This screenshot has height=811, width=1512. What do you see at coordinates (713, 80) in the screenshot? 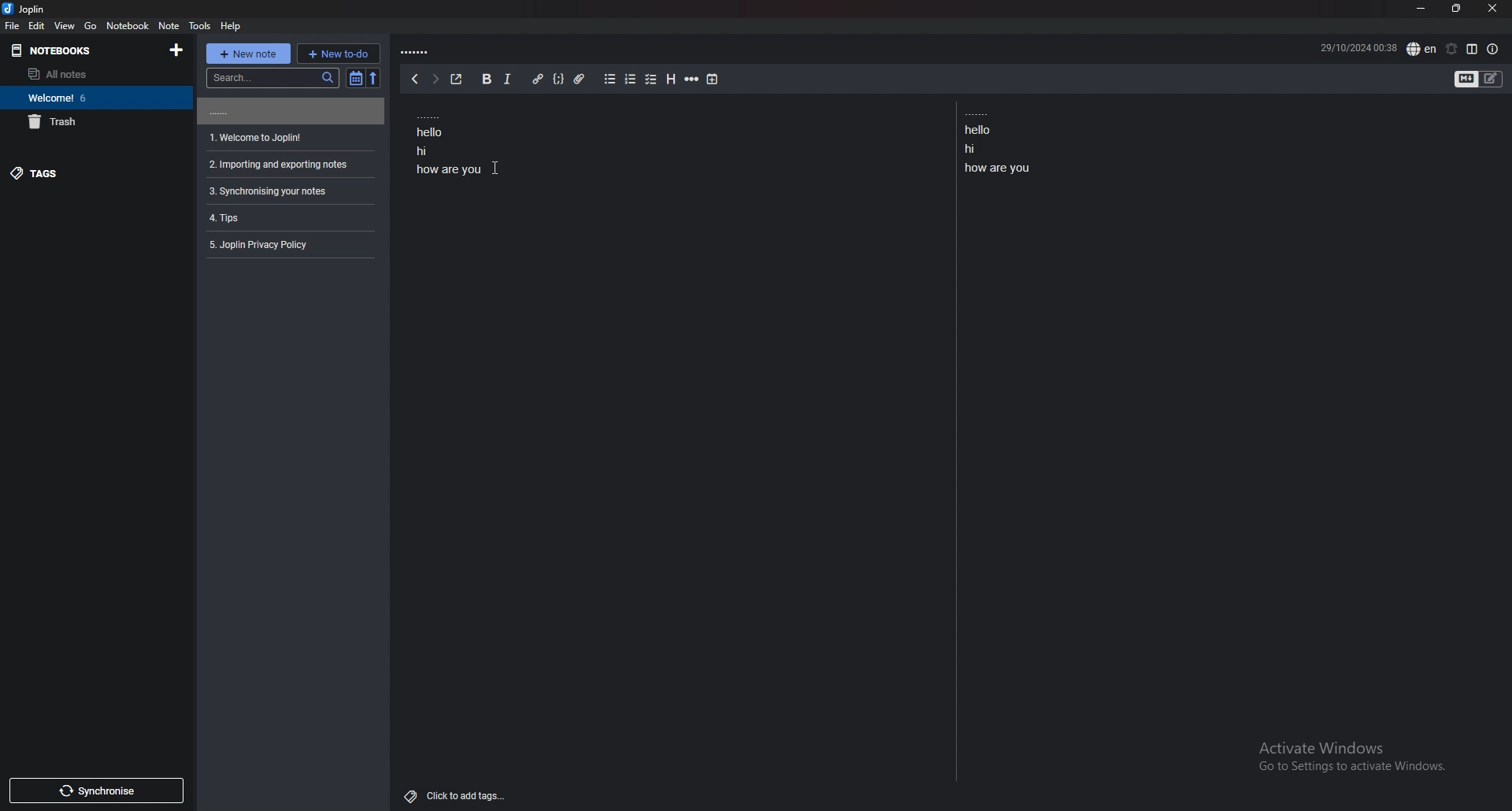
I see `add time` at bounding box center [713, 80].